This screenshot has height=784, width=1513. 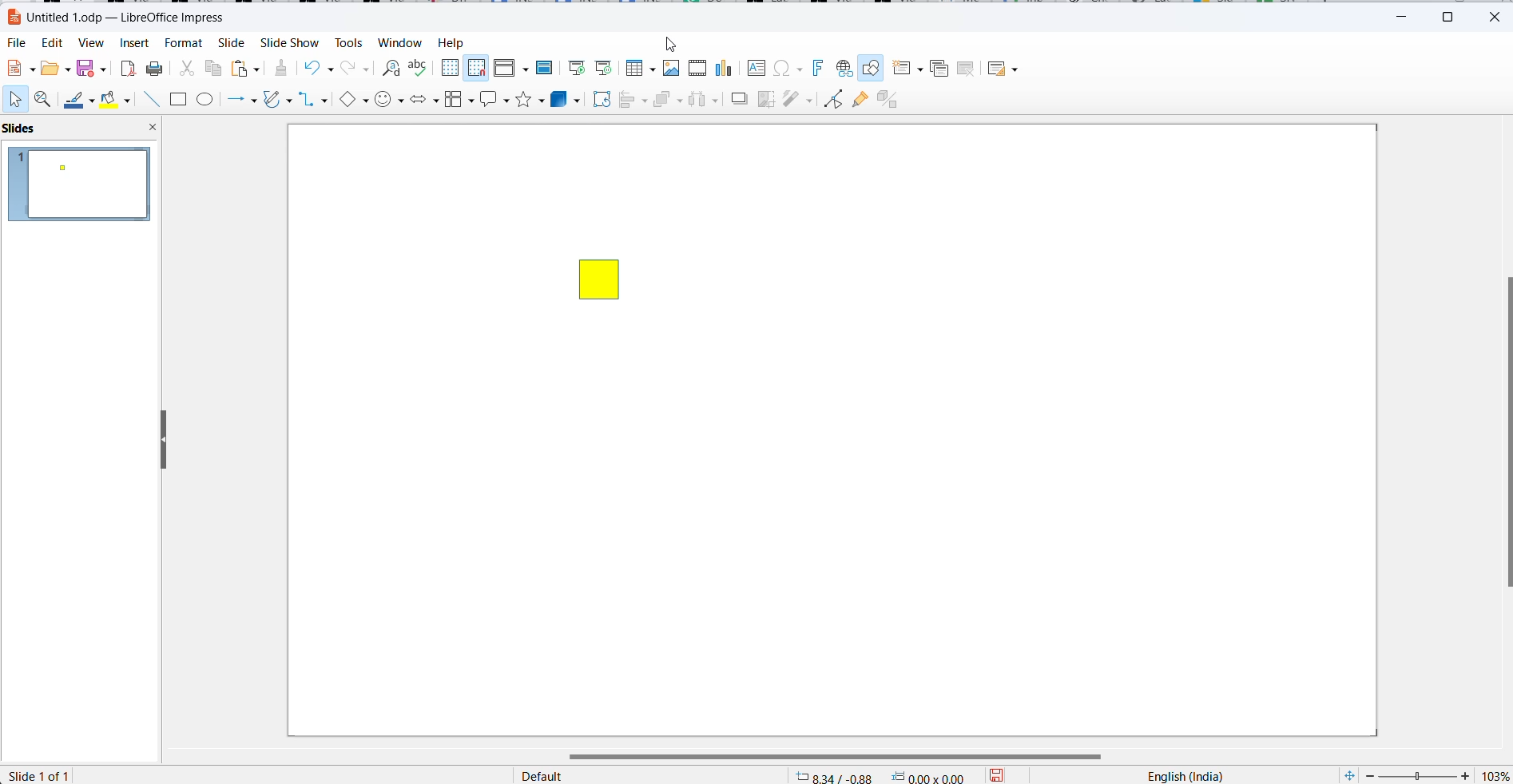 What do you see at coordinates (245, 69) in the screenshot?
I see `paste options` at bounding box center [245, 69].